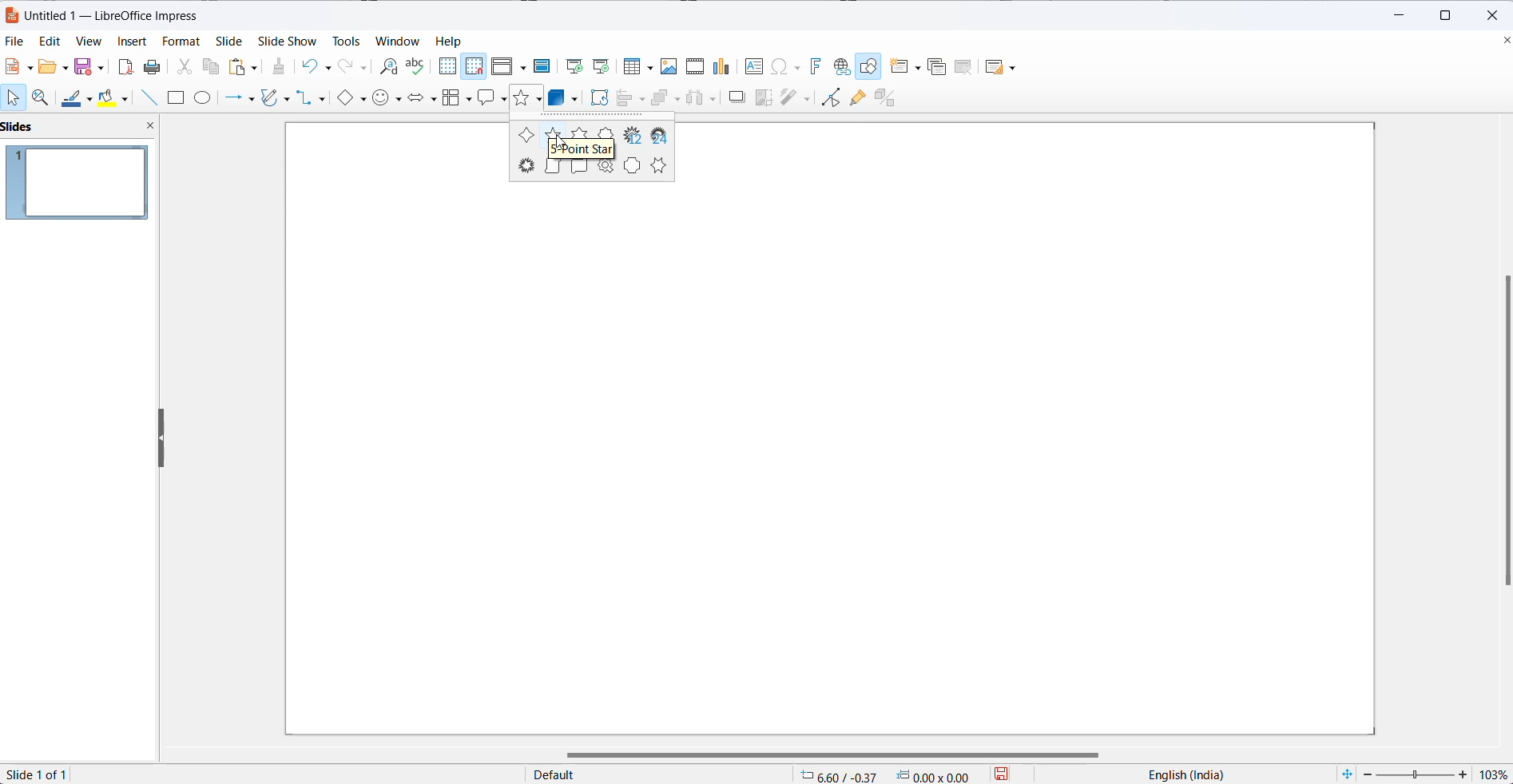 The height and width of the screenshot is (784, 1513). Describe the element at coordinates (276, 100) in the screenshot. I see `curve and polygons` at that location.